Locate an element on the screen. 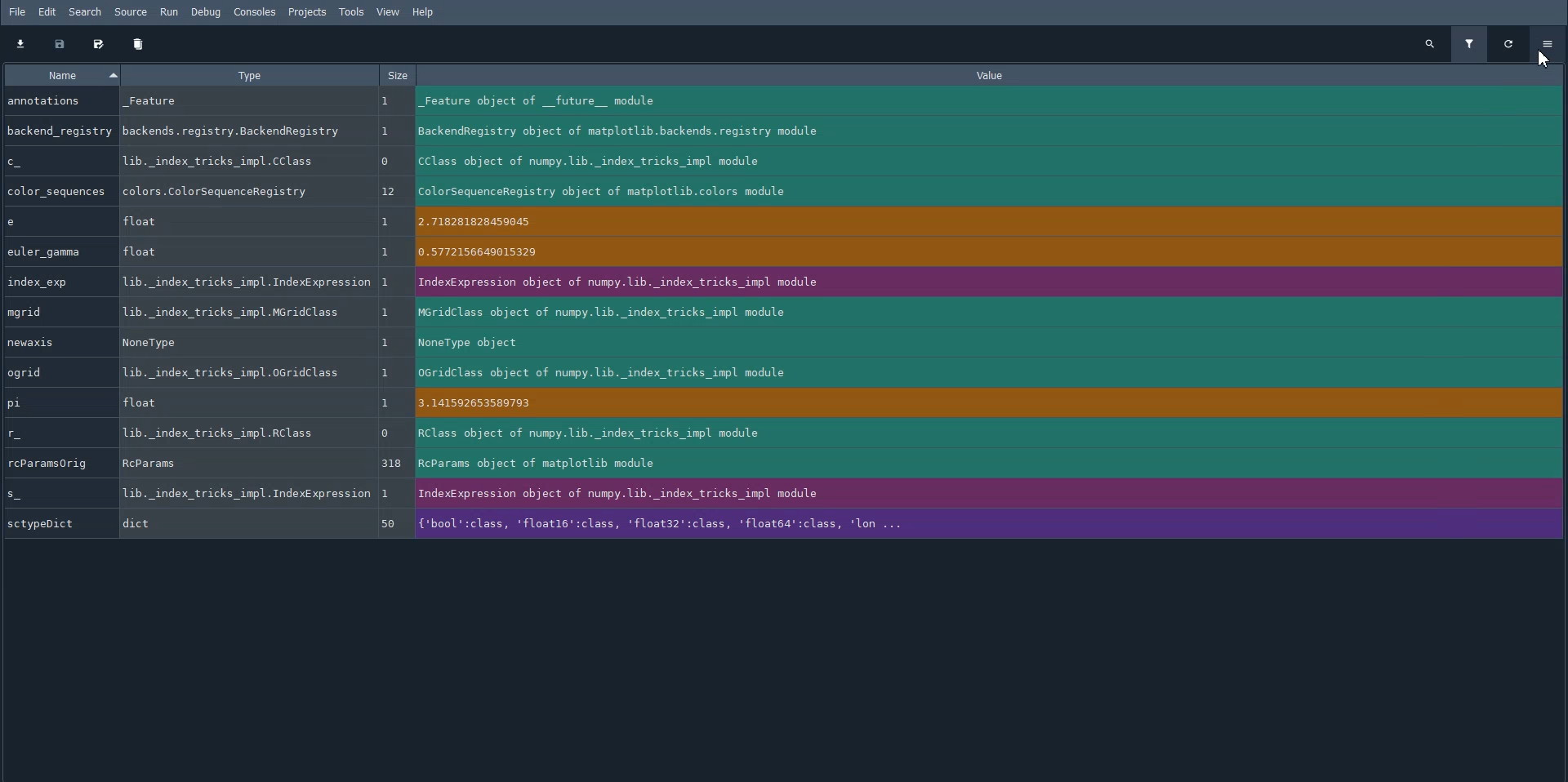  IndexExpression object of numpy.lib. index tricks_impl module is located at coordinates (991, 495).